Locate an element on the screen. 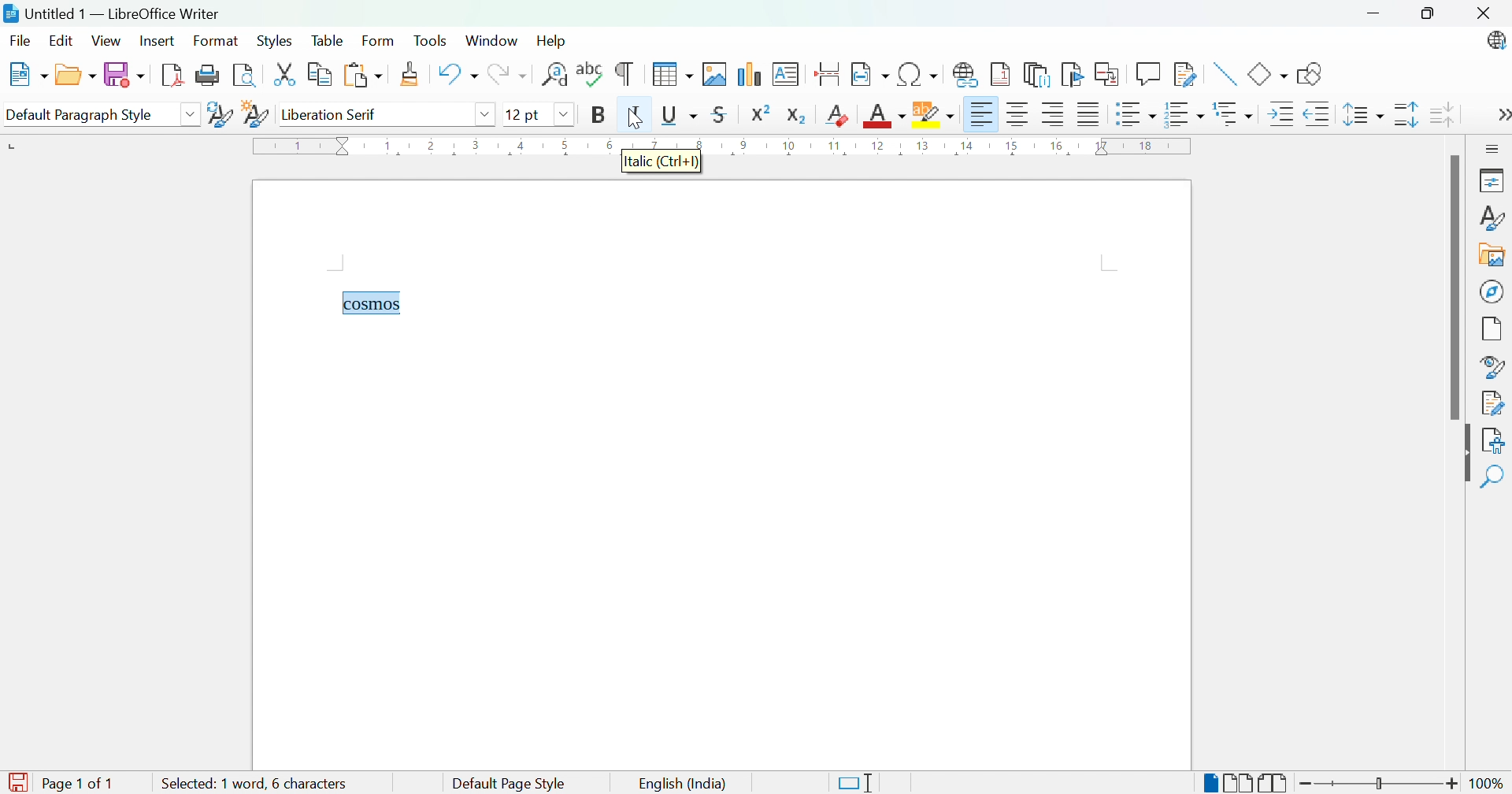 This screenshot has height=794, width=1512. Help is located at coordinates (555, 43).